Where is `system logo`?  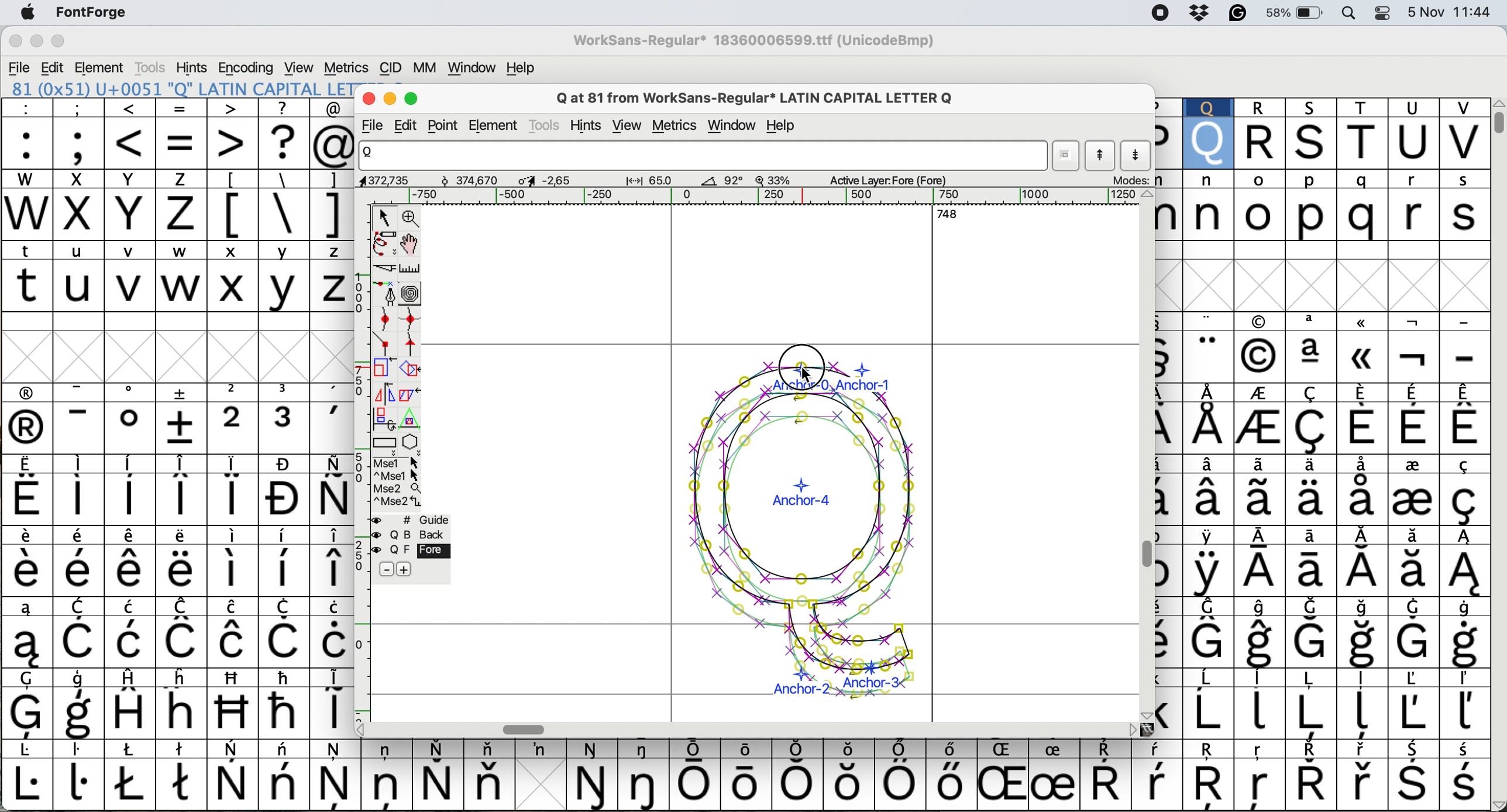 system logo is located at coordinates (31, 15).